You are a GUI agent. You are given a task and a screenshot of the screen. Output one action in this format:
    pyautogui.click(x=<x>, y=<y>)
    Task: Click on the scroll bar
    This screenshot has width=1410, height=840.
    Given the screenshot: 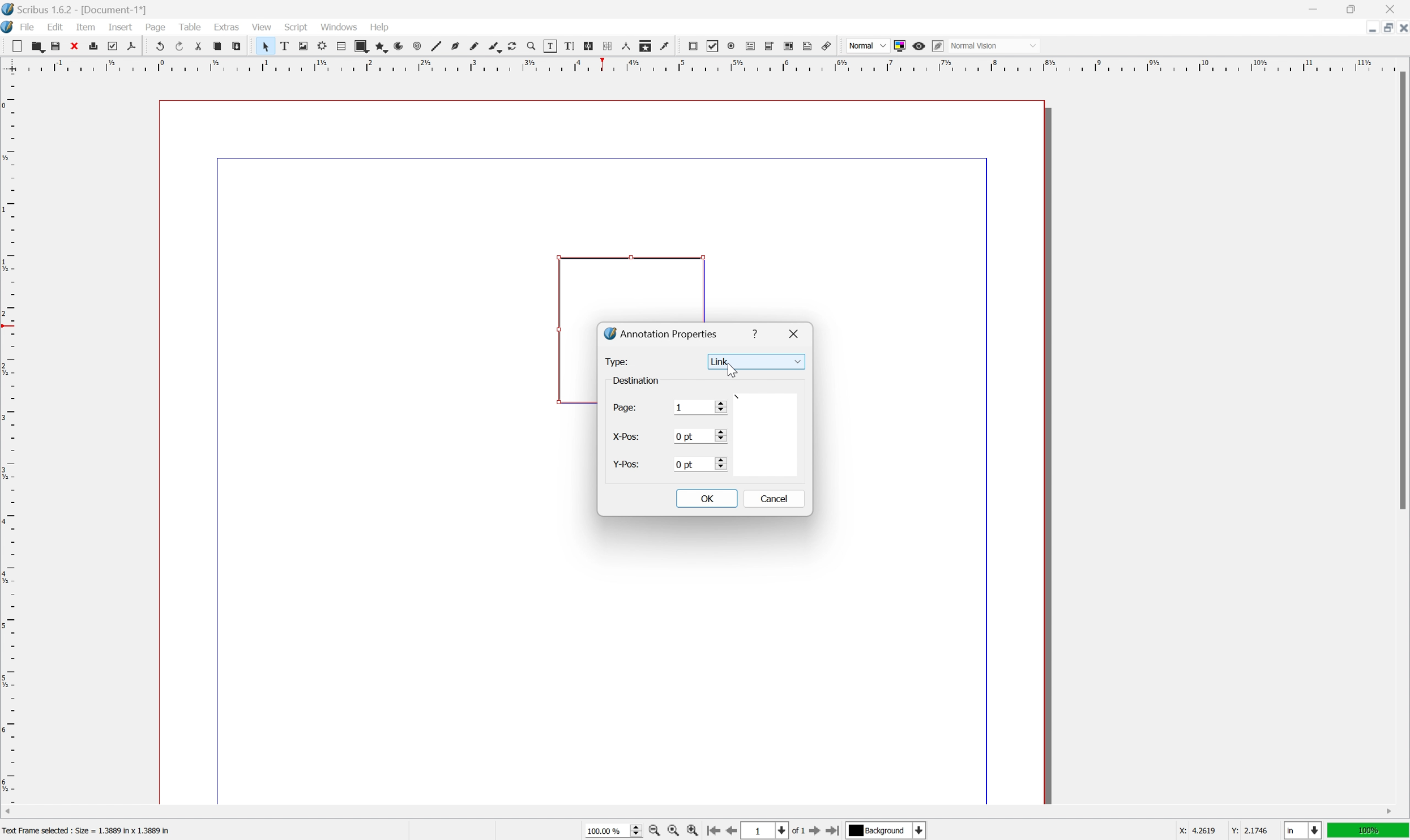 What is the action you would take?
    pyautogui.click(x=699, y=812)
    